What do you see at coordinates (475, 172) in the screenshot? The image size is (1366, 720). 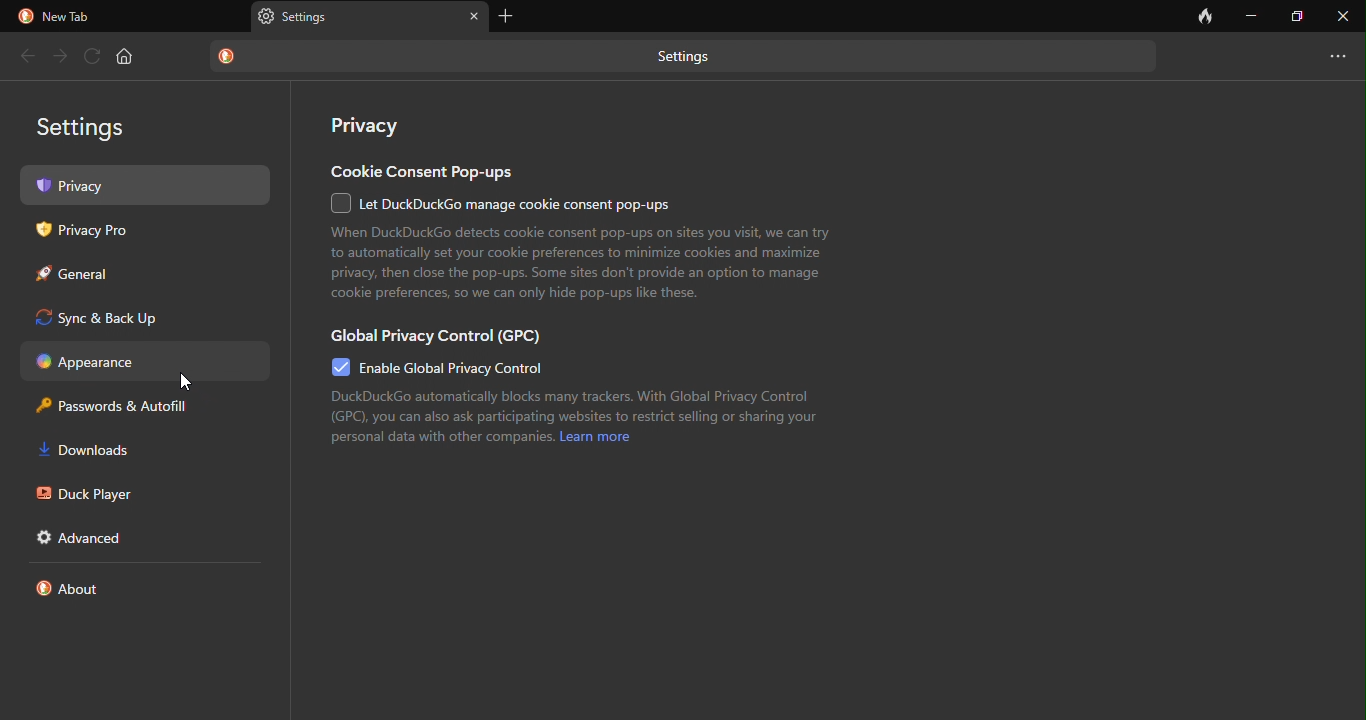 I see `cookie consent pop-ups` at bounding box center [475, 172].